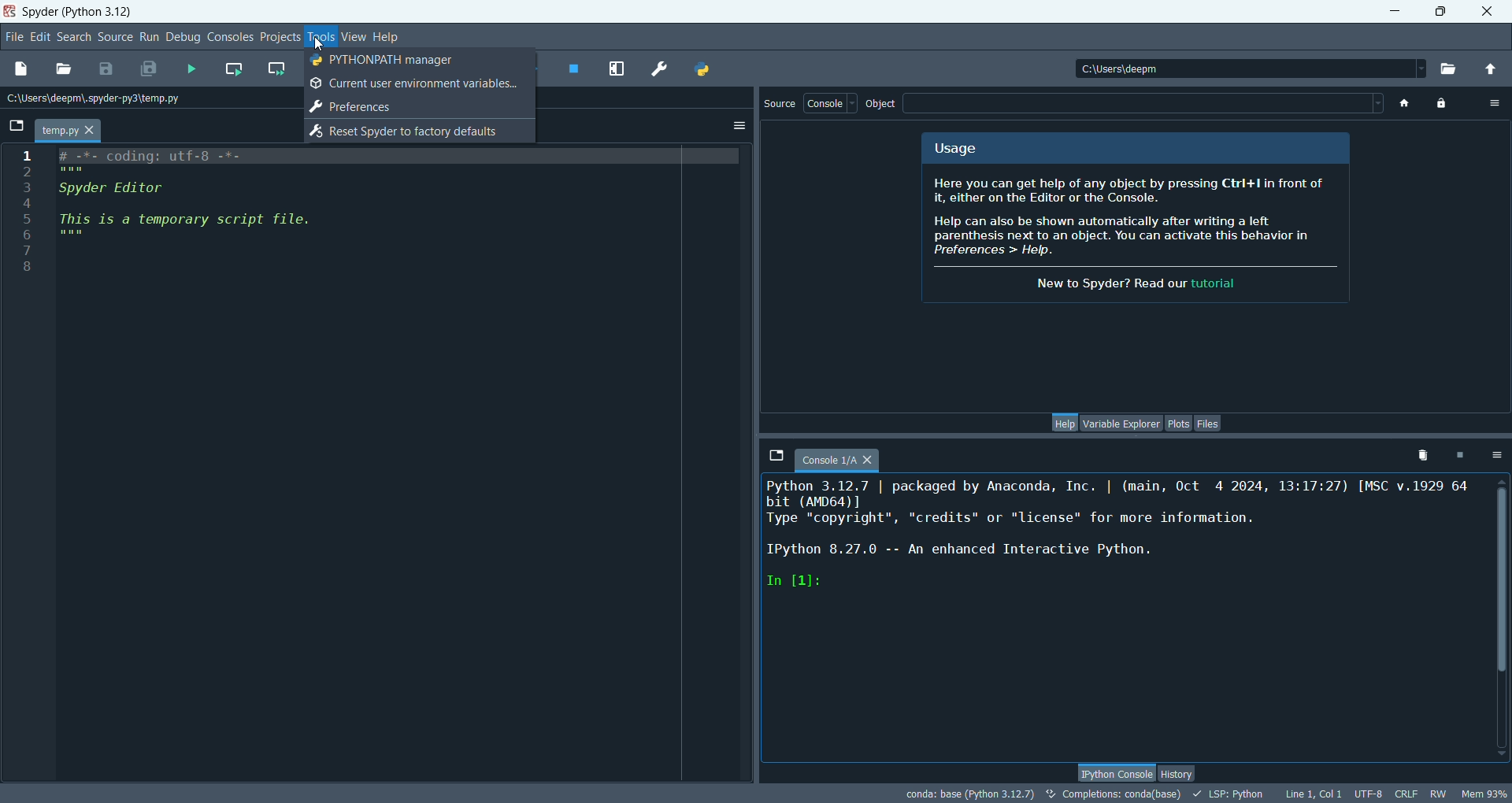 This screenshot has width=1512, height=803. Describe the element at coordinates (1121, 545) in the screenshot. I see `console text` at that location.